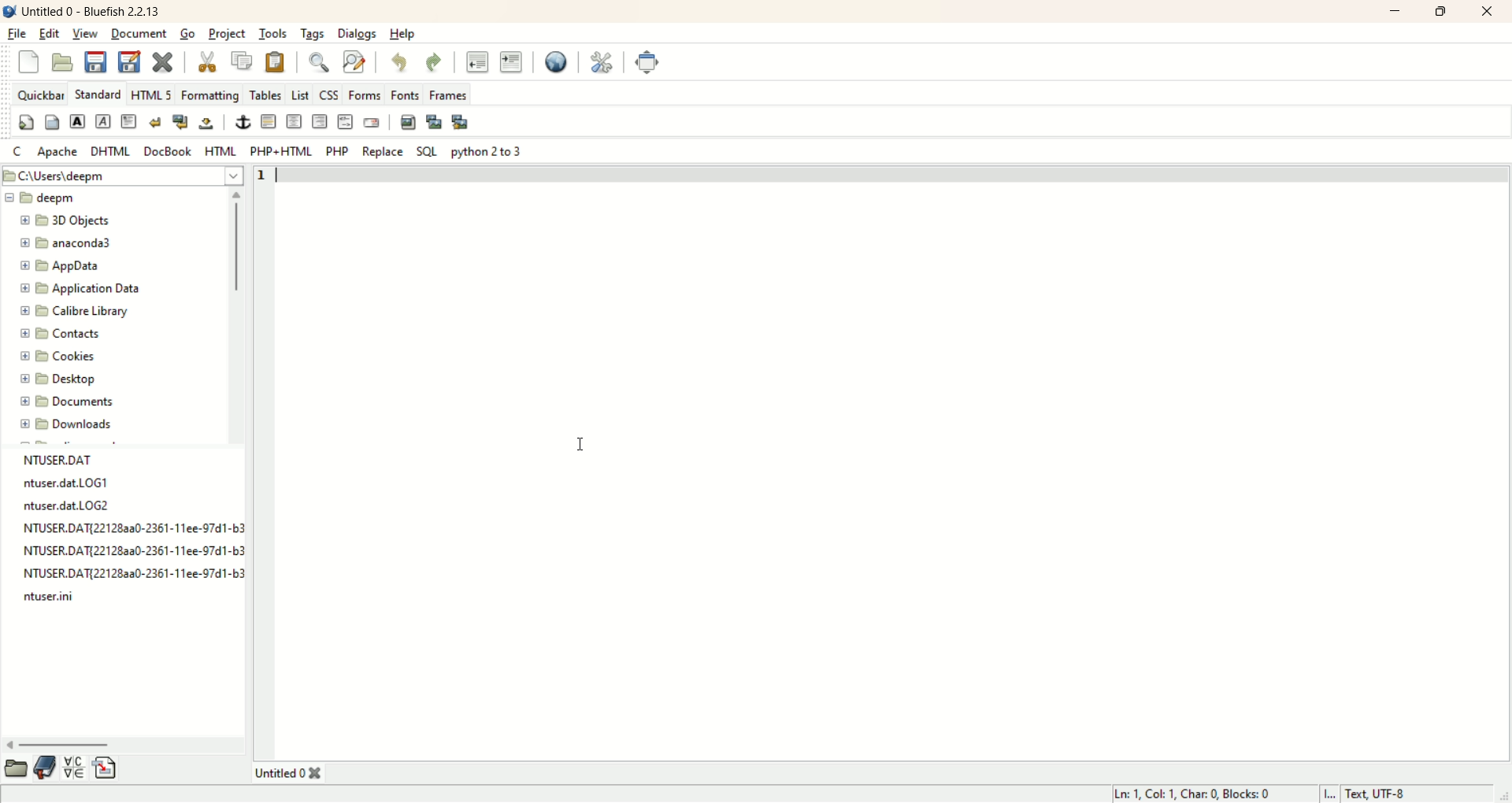  I want to click on email, so click(371, 124).